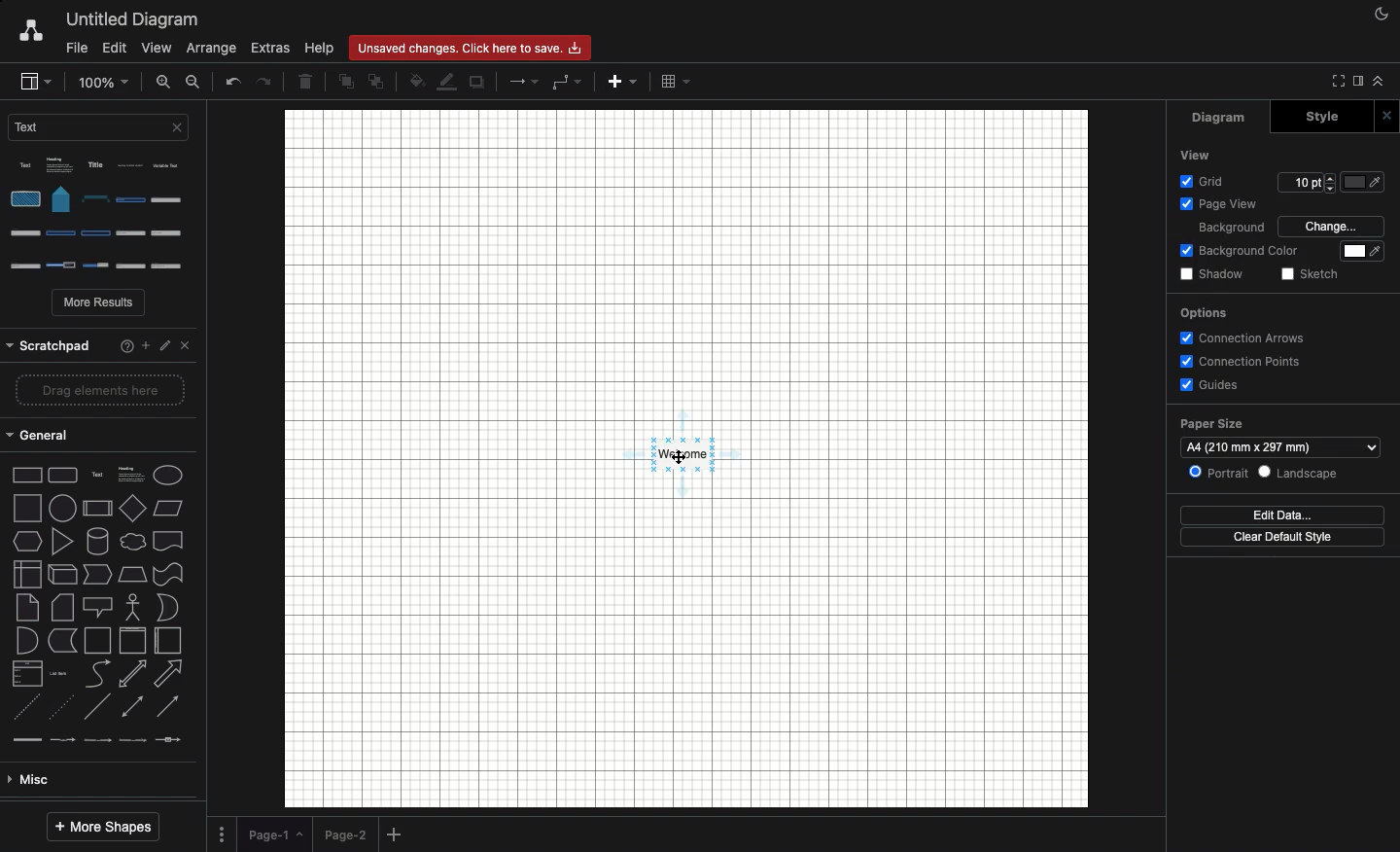  What do you see at coordinates (214, 47) in the screenshot?
I see `Arrange` at bounding box center [214, 47].